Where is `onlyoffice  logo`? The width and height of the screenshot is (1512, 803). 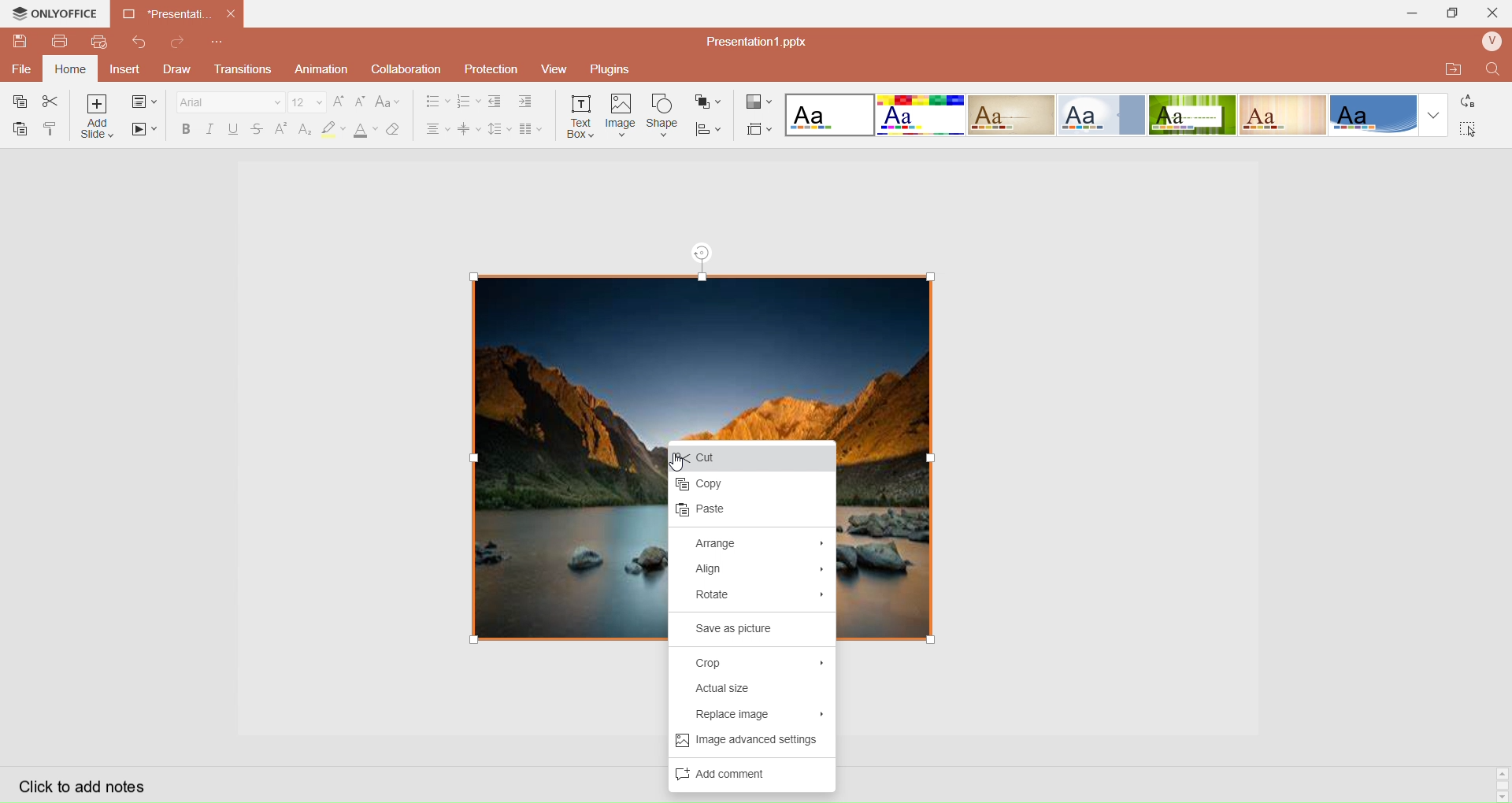
onlyoffice  logo is located at coordinates (19, 16).